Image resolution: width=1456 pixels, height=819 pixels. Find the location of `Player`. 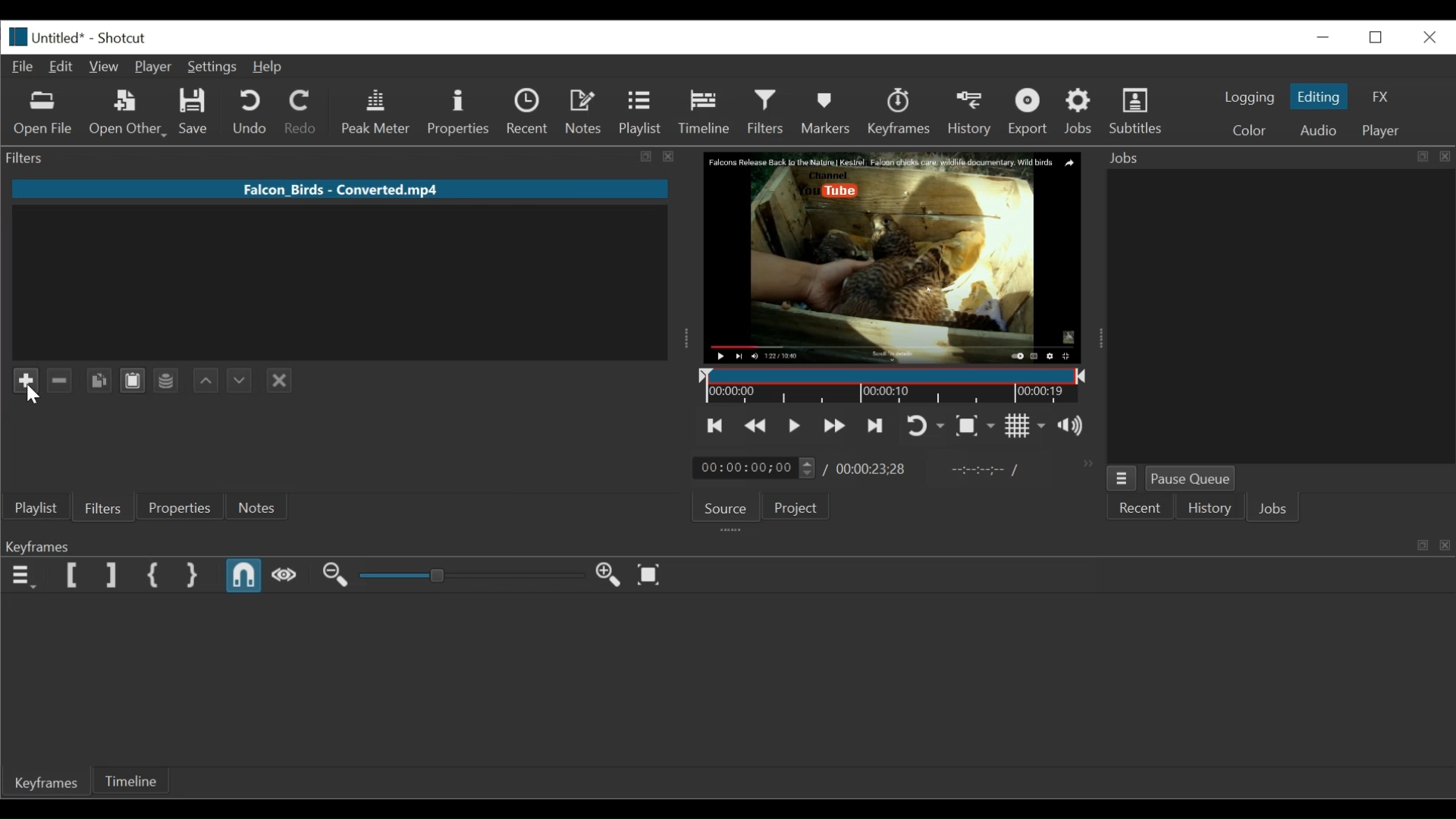

Player is located at coordinates (153, 67).